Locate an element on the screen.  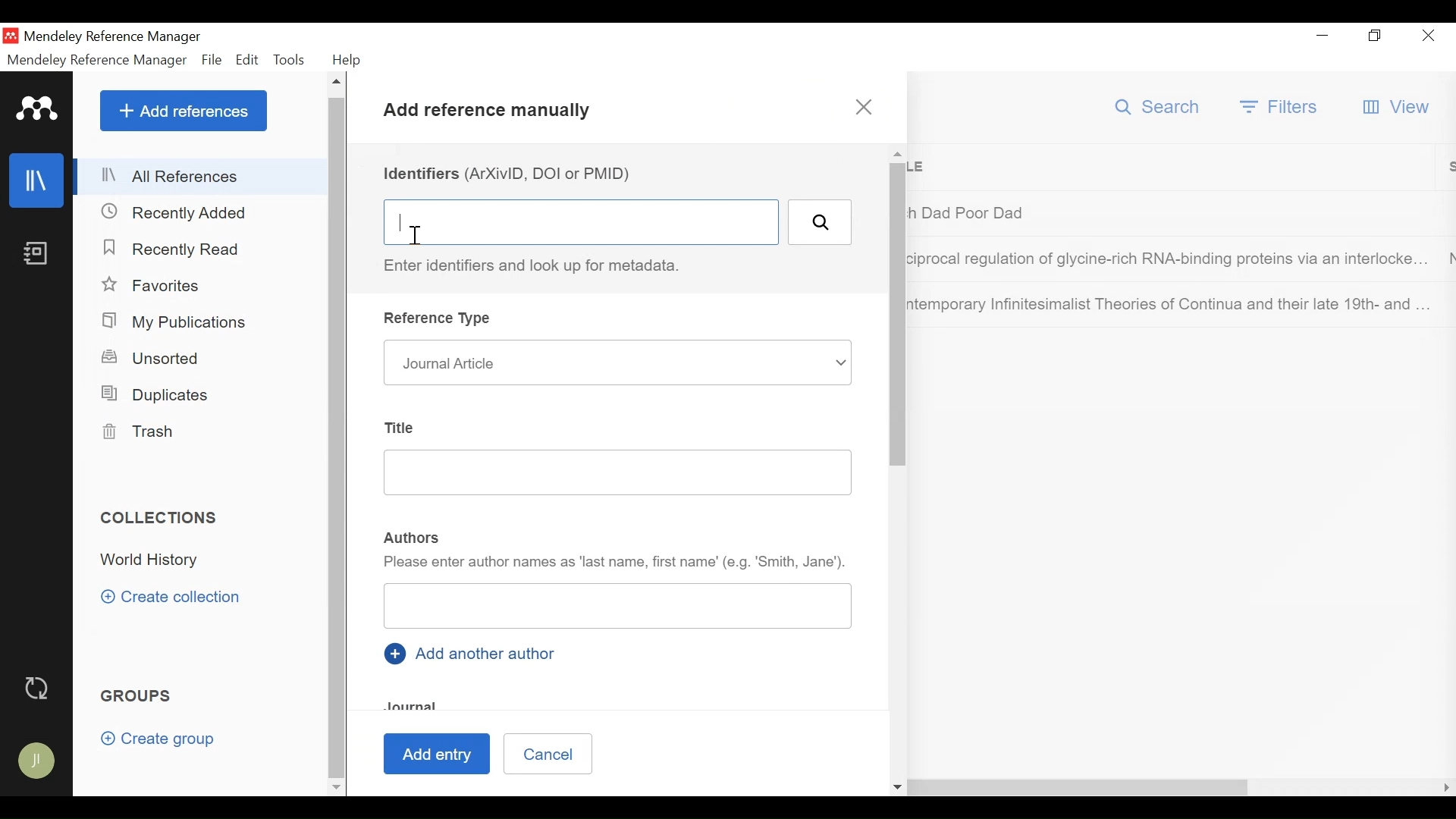
Duplicates is located at coordinates (157, 393).